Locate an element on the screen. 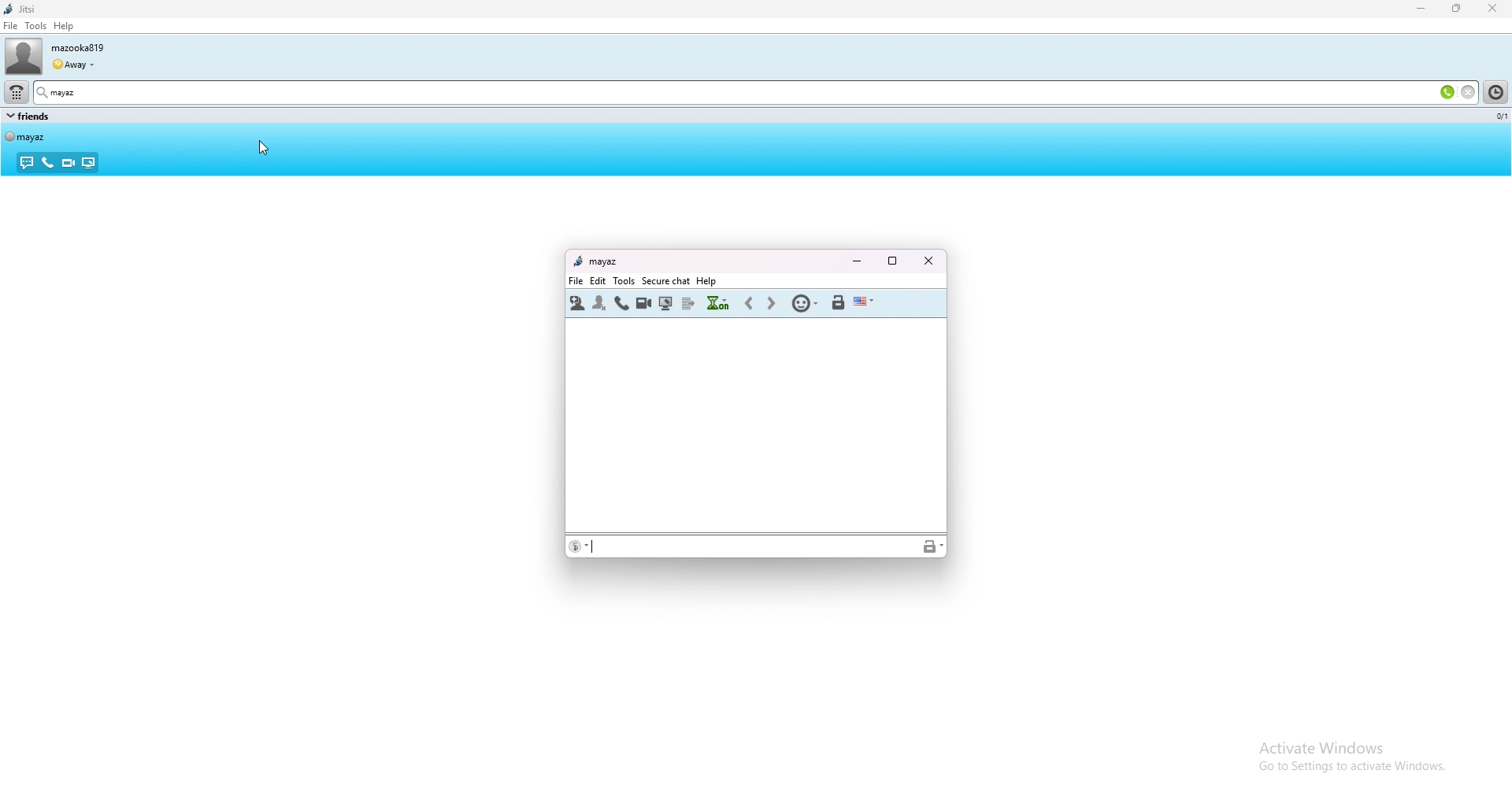 This screenshot has width=1512, height=811. spell check is located at coordinates (864, 302).